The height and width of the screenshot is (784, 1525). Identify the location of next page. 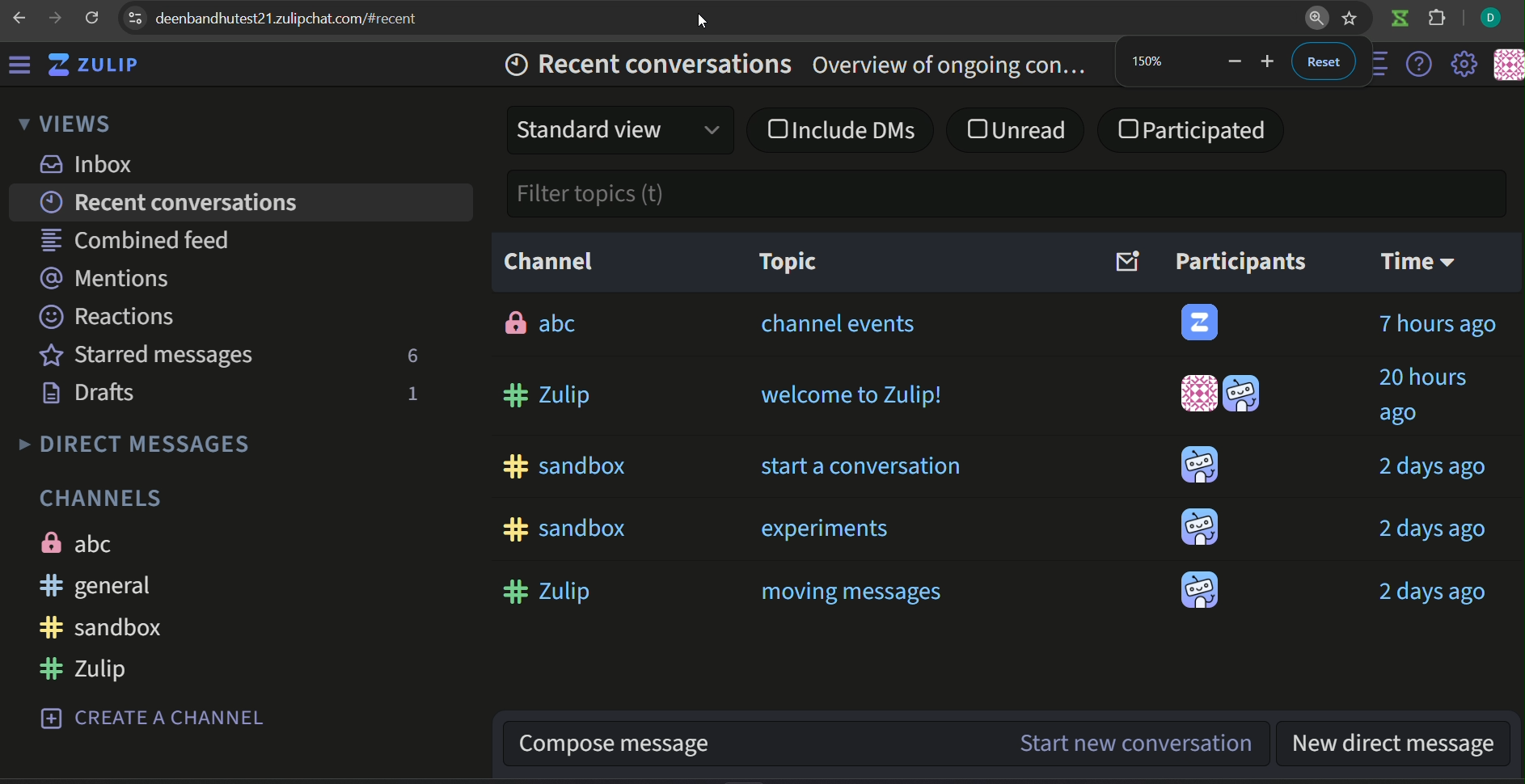
(55, 18).